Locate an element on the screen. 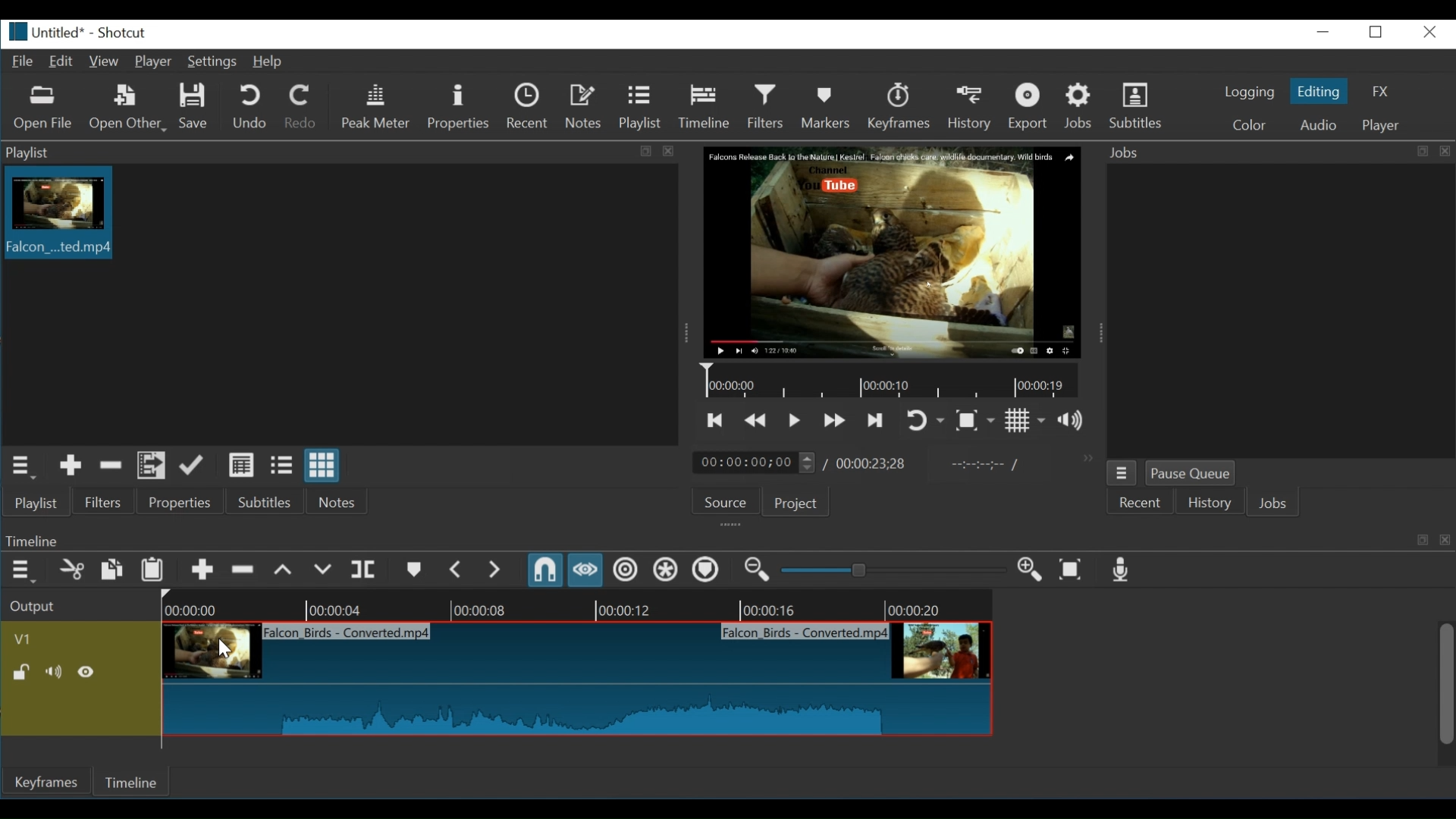 The image size is (1456, 819). Player is located at coordinates (153, 62).